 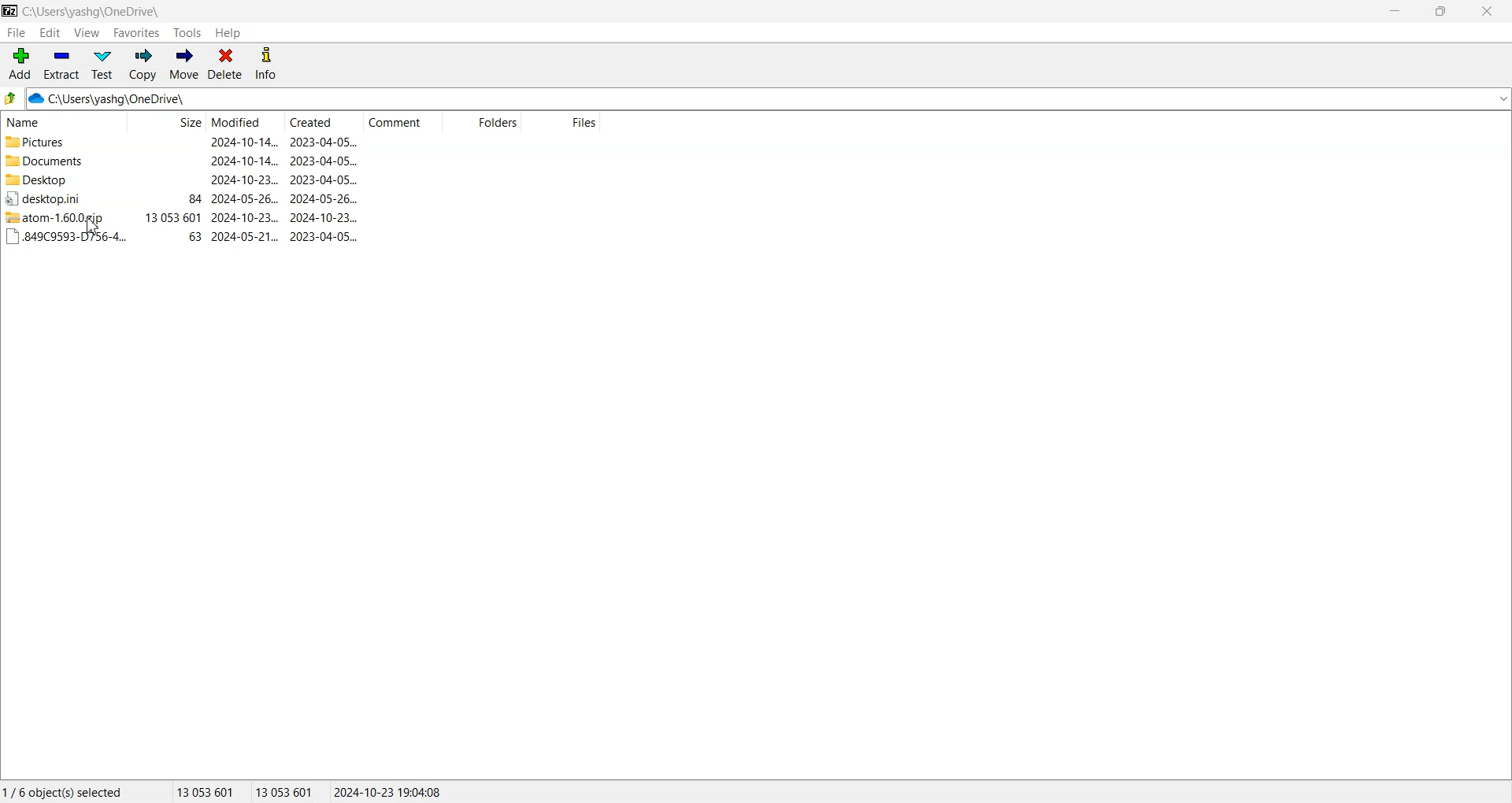 What do you see at coordinates (1502, 99) in the screenshot?
I see `Dropdown box for path address` at bounding box center [1502, 99].